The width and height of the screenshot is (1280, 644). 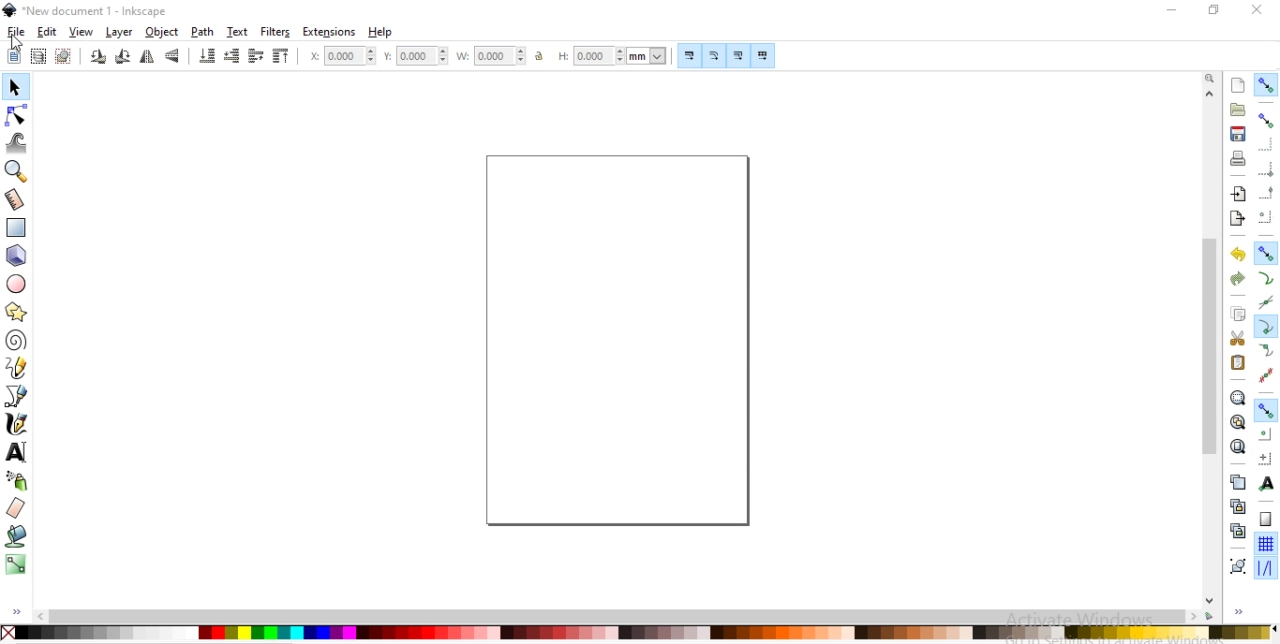 What do you see at coordinates (1237, 423) in the screenshot?
I see `zoom to fit drawing` at bounding box center [1237, 423].